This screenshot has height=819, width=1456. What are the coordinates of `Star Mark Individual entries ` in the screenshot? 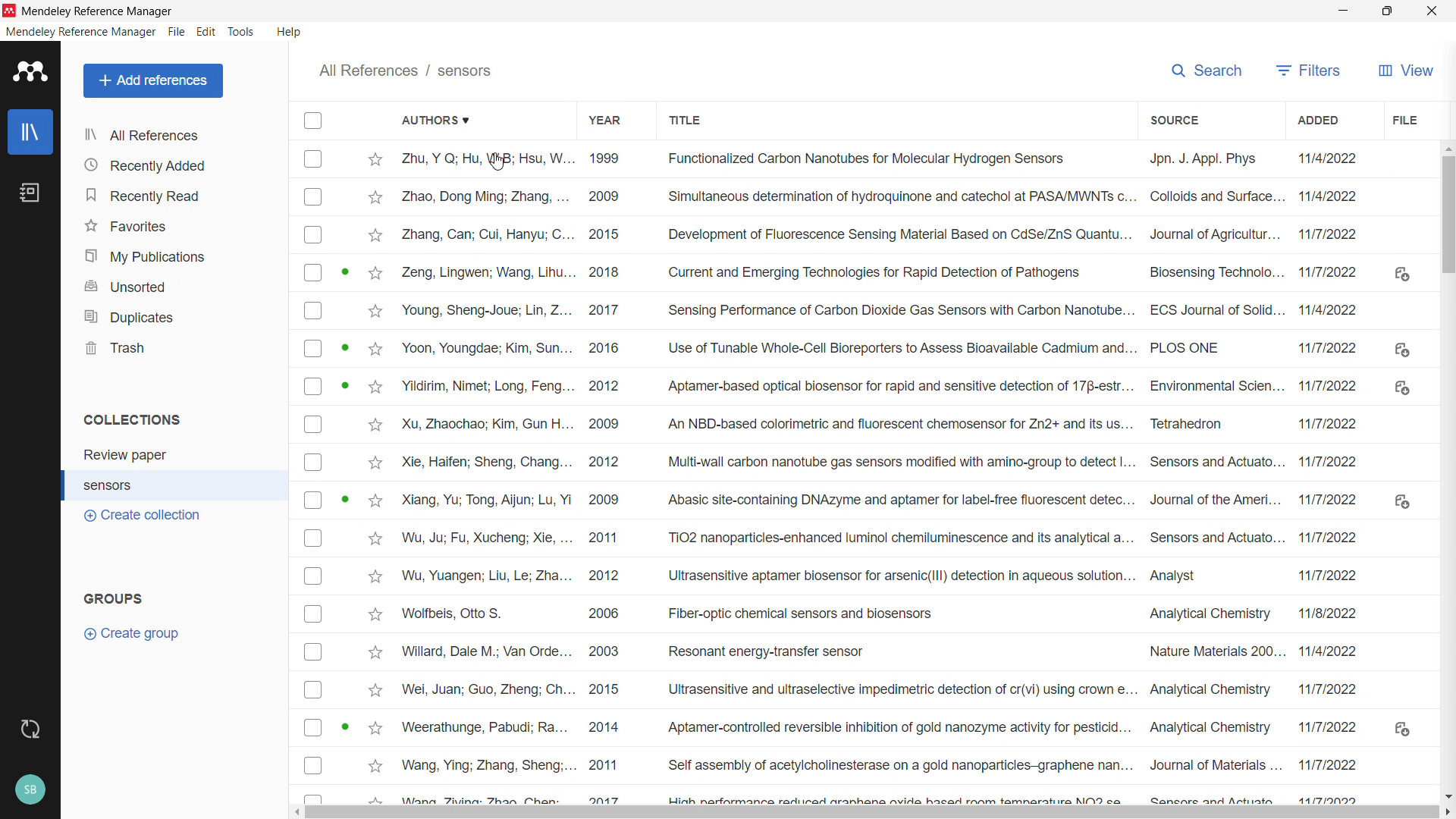 It's located at (373, 475).